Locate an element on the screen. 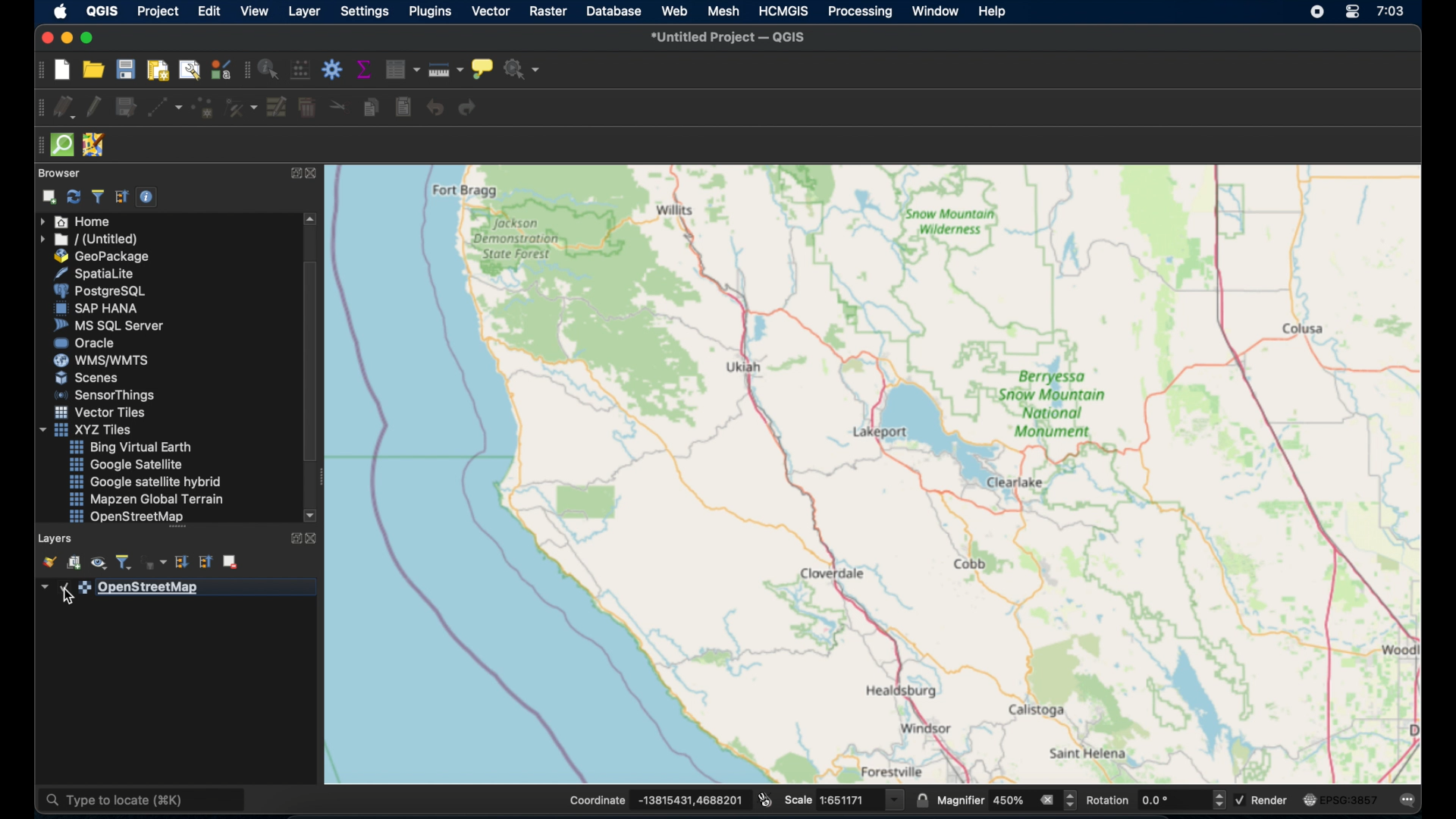 The width and height of the screenshot is (1456, 819). xyzzy tiles is located at coordinates (86, 429).